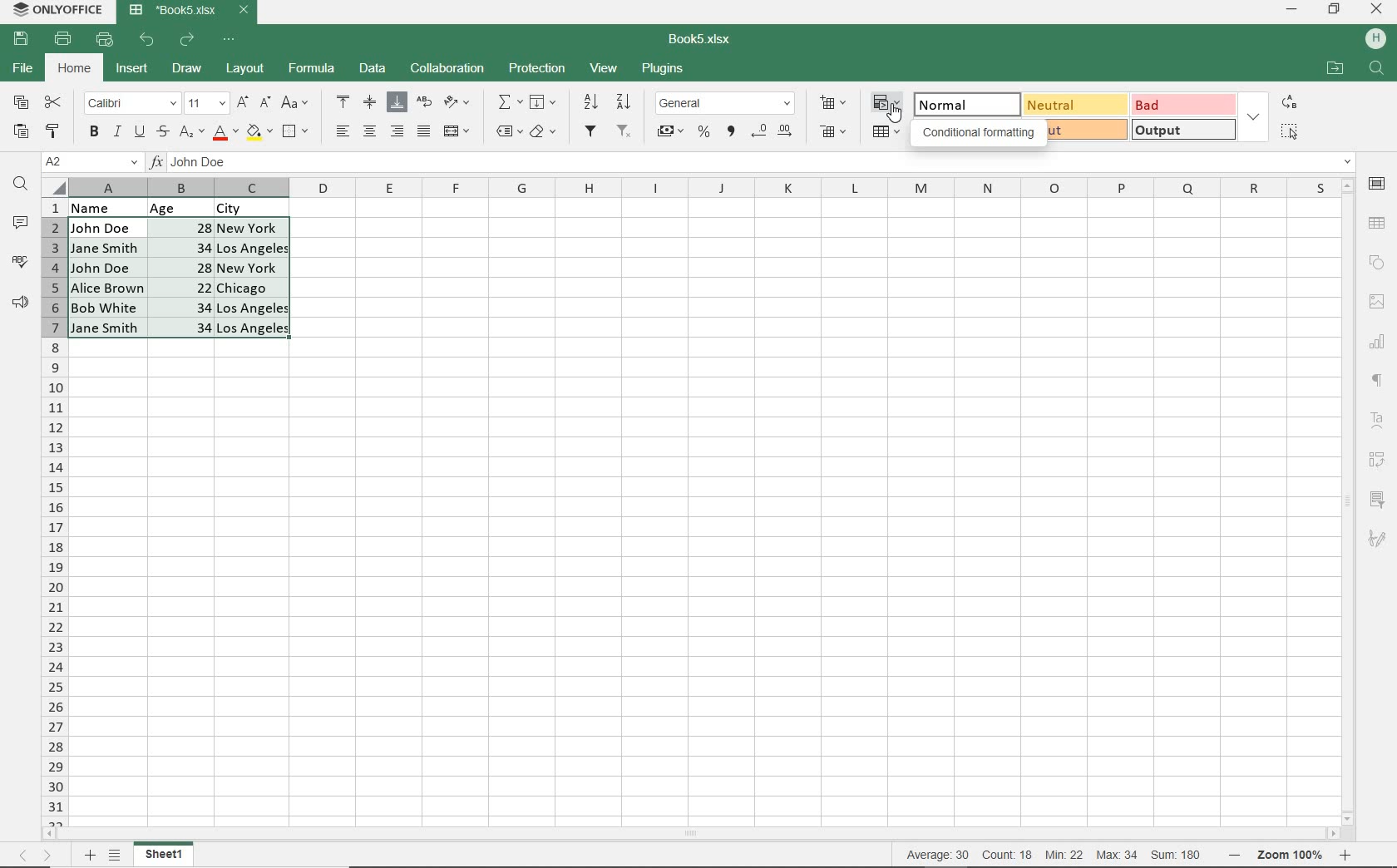  What do you see at coordinates (63, 38) in the screenshot?
I see `PRINT` at bounding box center [63, 38].